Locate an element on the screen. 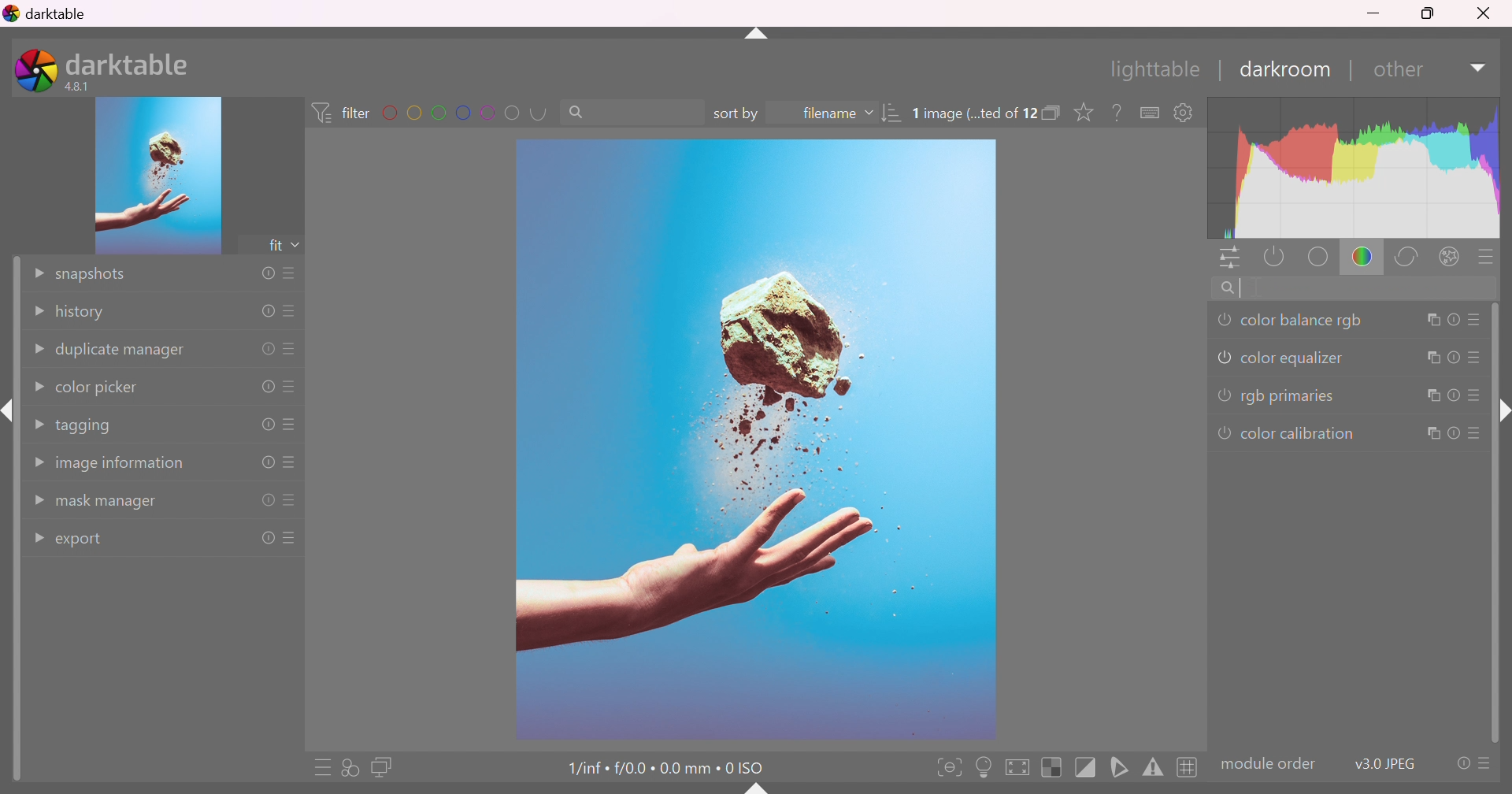 This screenshot has height=794, width=1512. quick access to presets is located at coordinates (324, 770).